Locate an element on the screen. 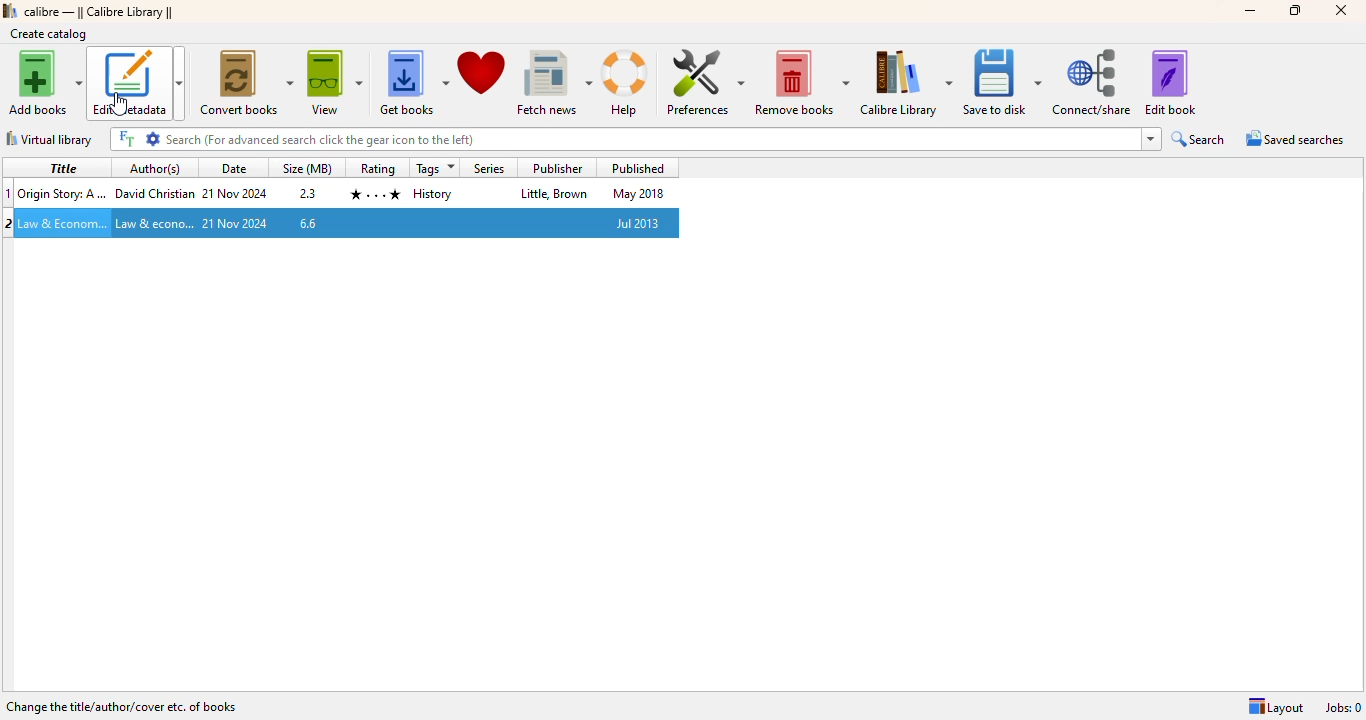 Image resolution: width=1366 pixels, height=720 pixels. minimize is located at coordinates (1250, 11).